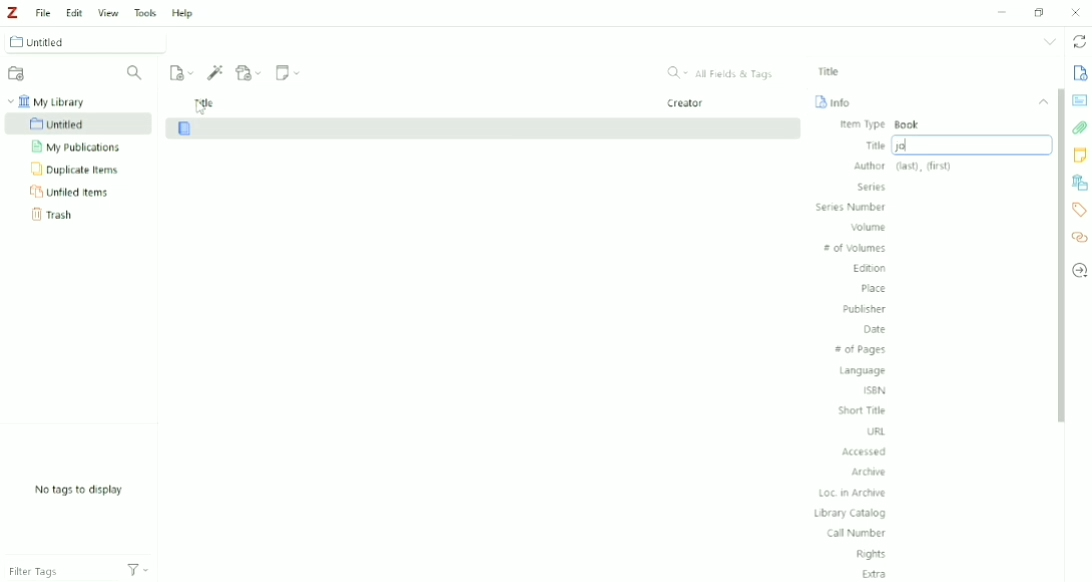  Describe the element at coordinates (217, 72) in the screenshot. I see `Add Item (s) by Identifier` at that location.